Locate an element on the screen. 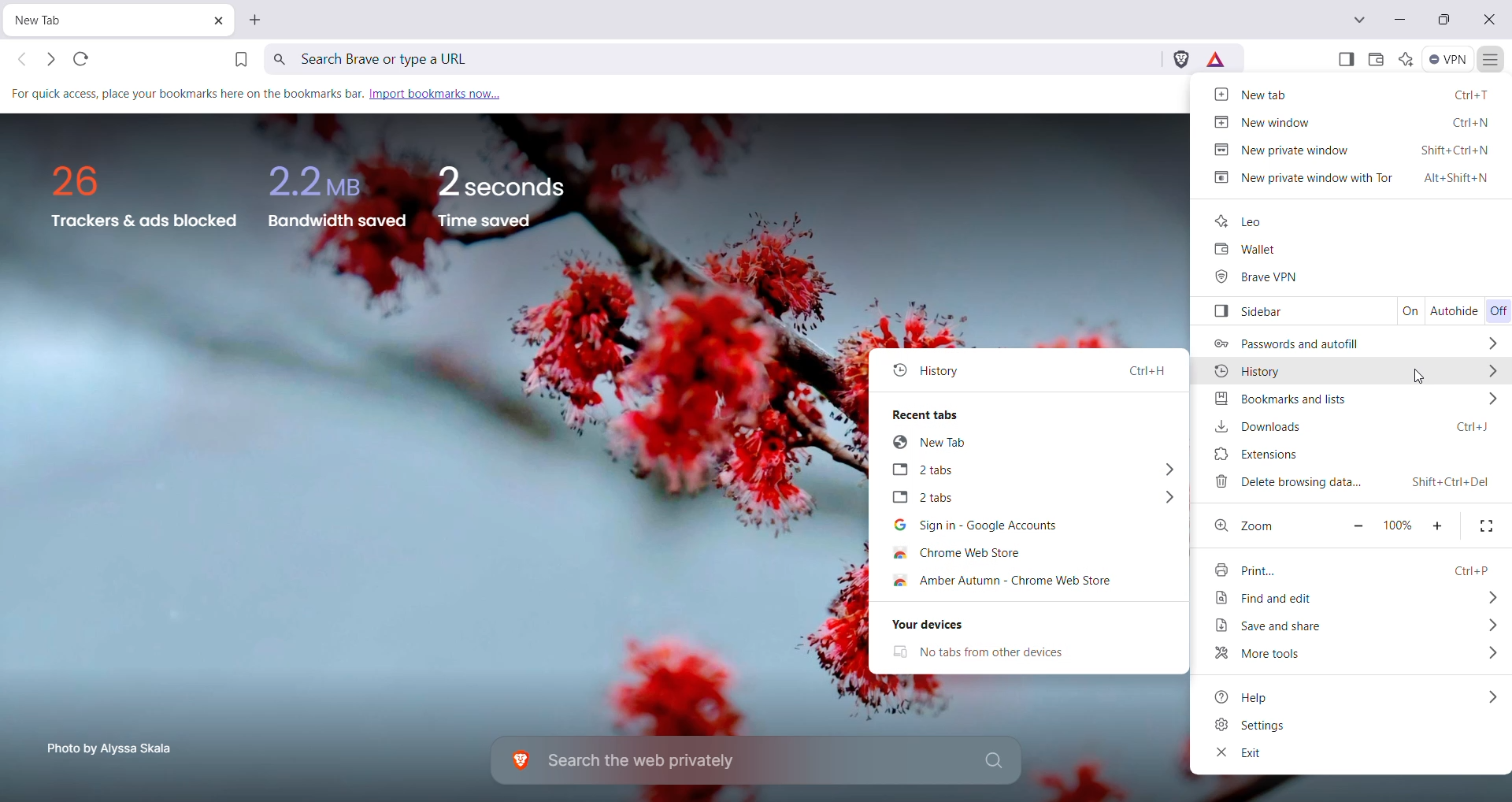 Image resolution: width=1512 pixels, height=802 pixels. Brave Wallet is located at coordinates (1373, 59).